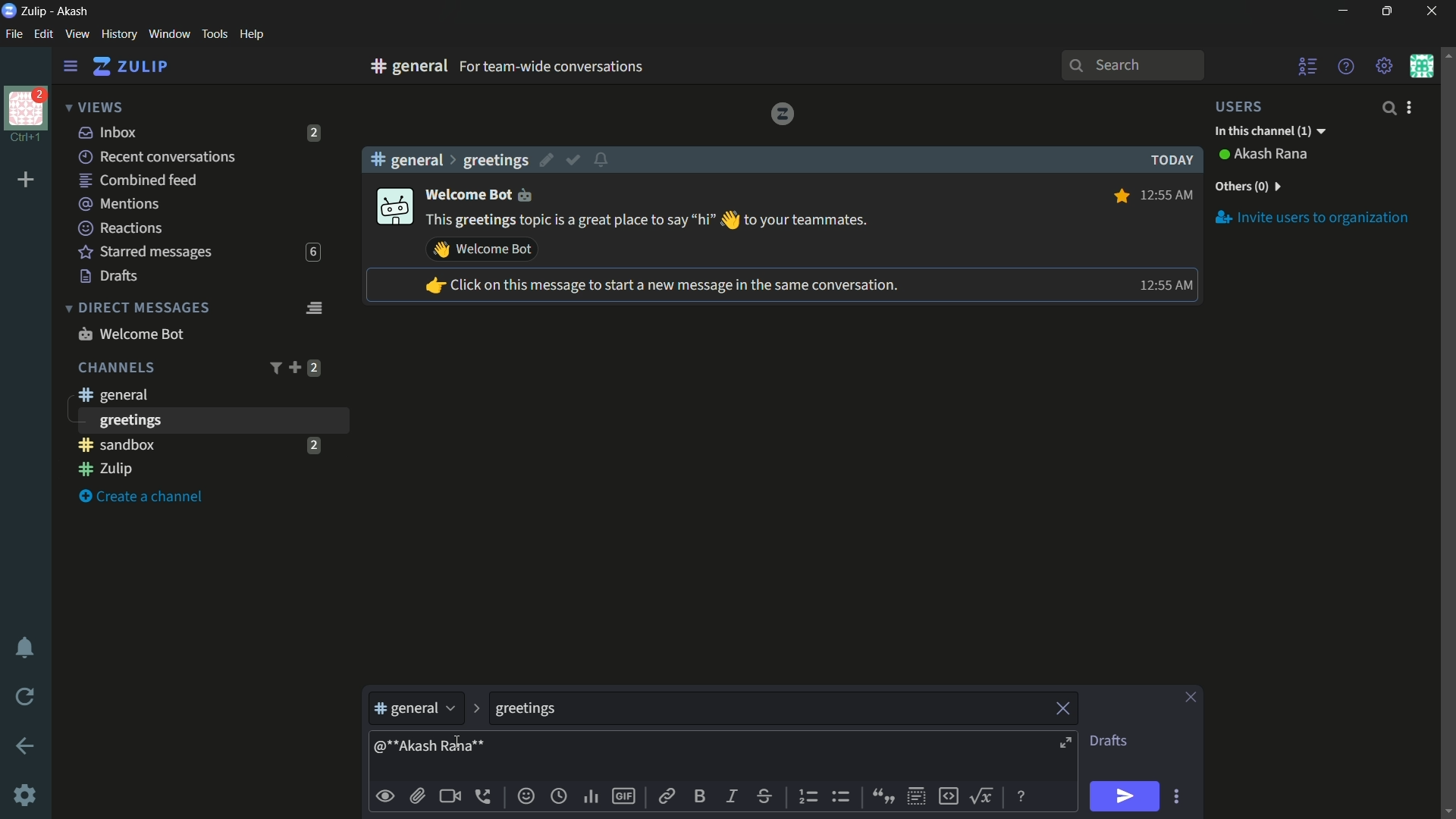  I want to click on Send wave emoji to welcome bot, so click(482, 249).